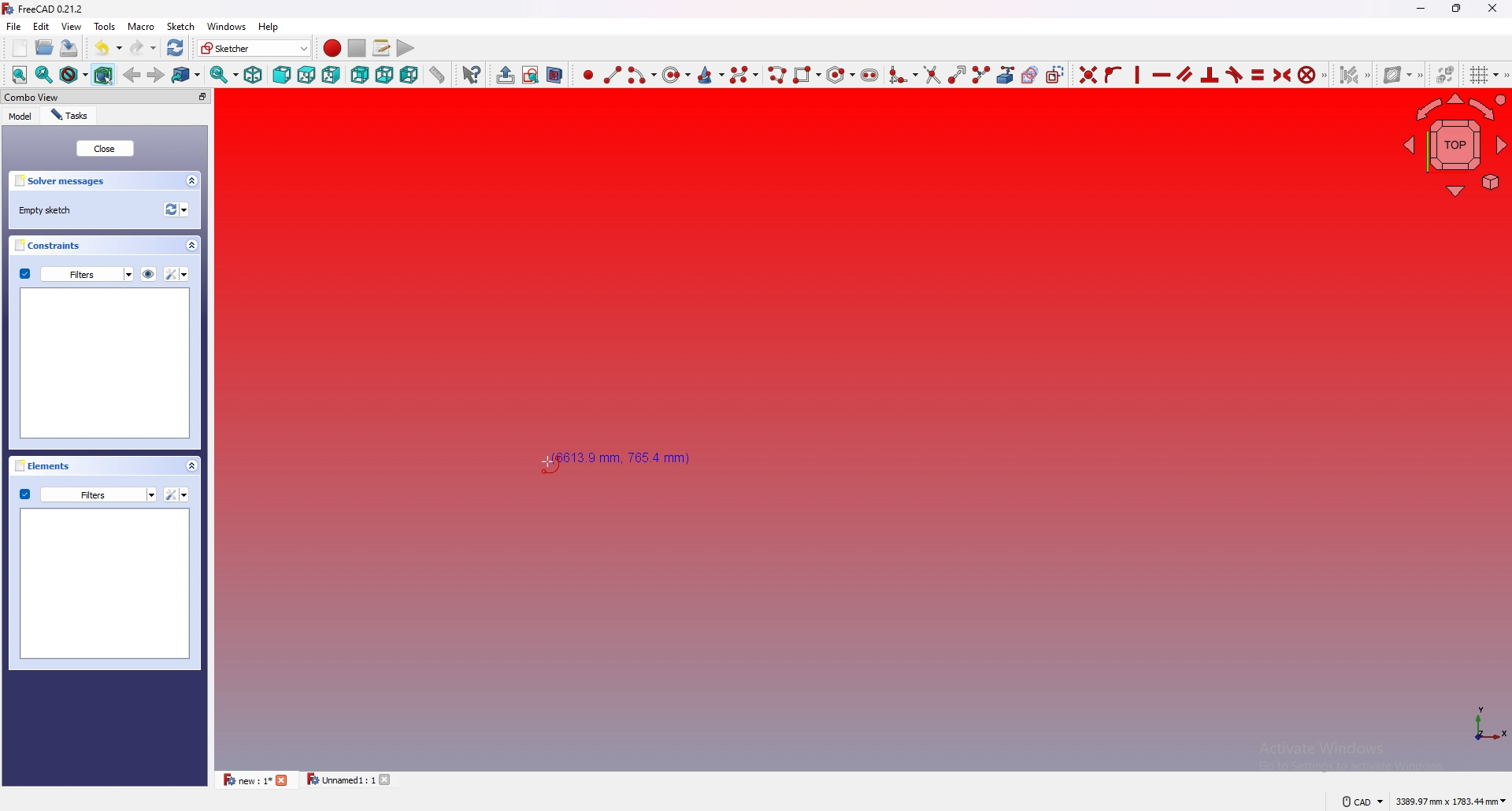 Image resolution: width=1512 pixels, height=811 pixels. What do you see at coordinates (104, 148) in the screenshot?
I see `close` at bounding box center [104, 148].